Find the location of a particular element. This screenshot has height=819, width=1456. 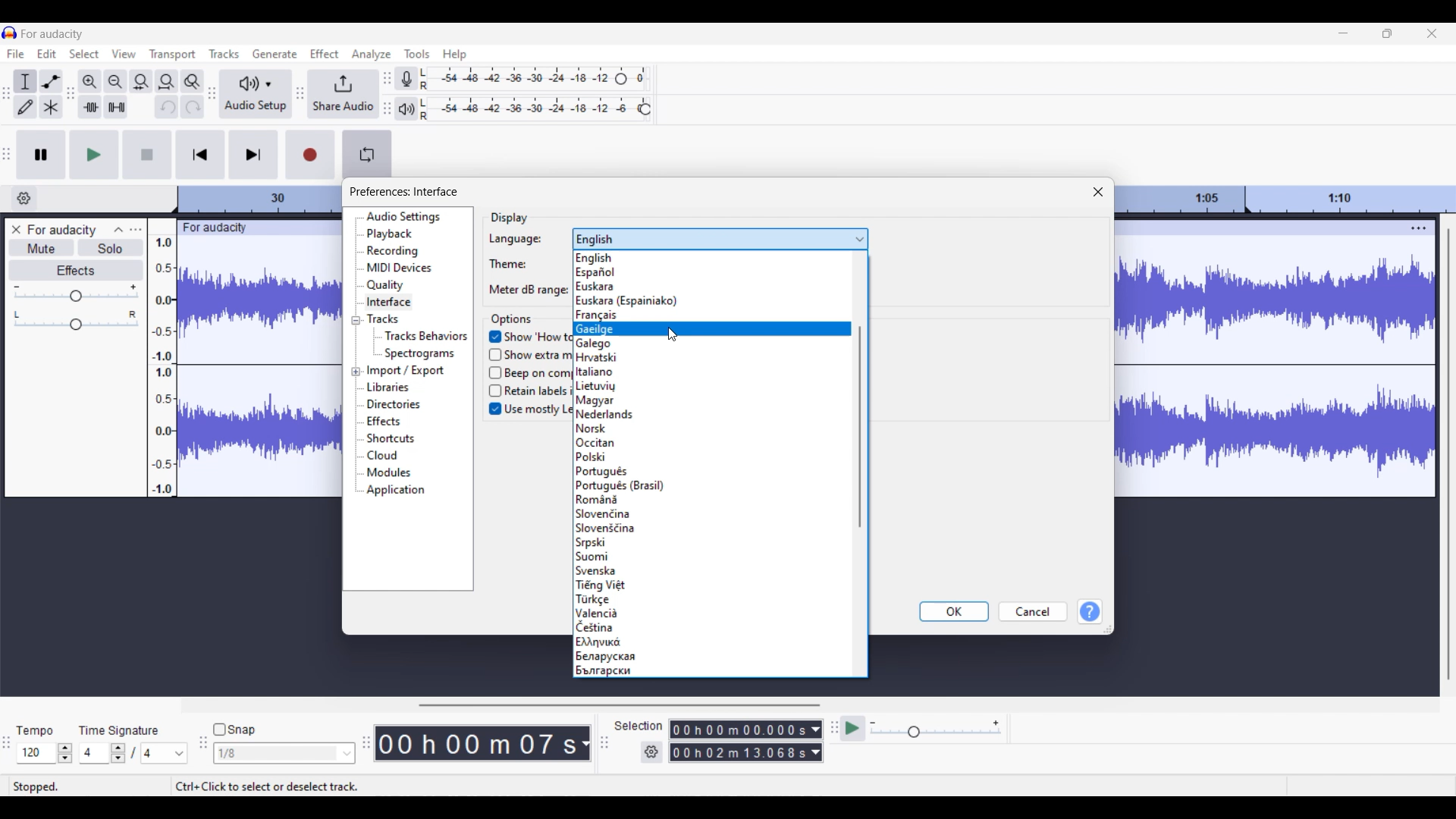

for audacity is located at coordinates (62, 231).